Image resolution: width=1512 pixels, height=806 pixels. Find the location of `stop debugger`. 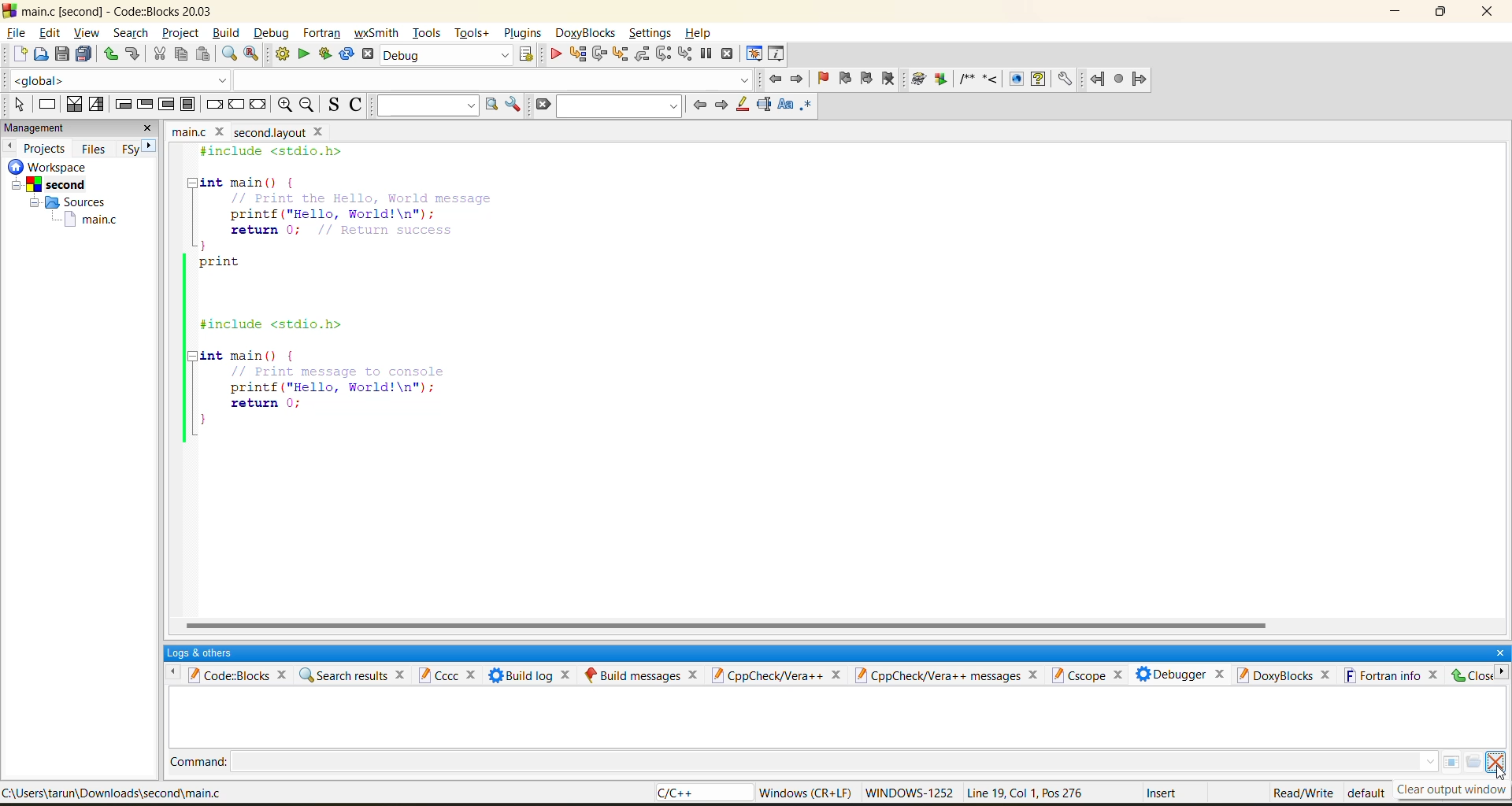

stop debugger is located at coordinates (726, 53).